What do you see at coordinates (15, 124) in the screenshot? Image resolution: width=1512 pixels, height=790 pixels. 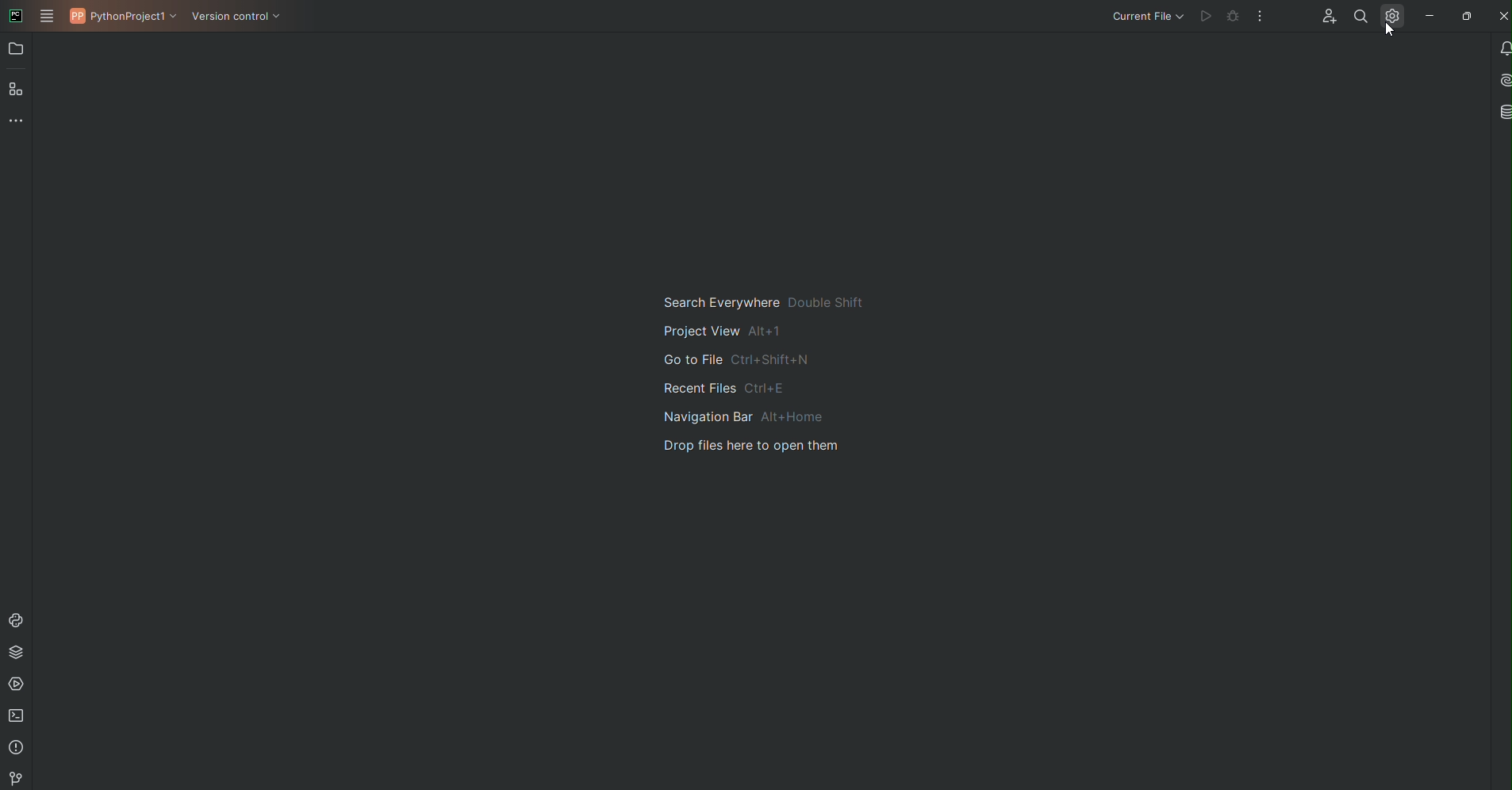 I see `More Tools` at bounding box center [15, 124].